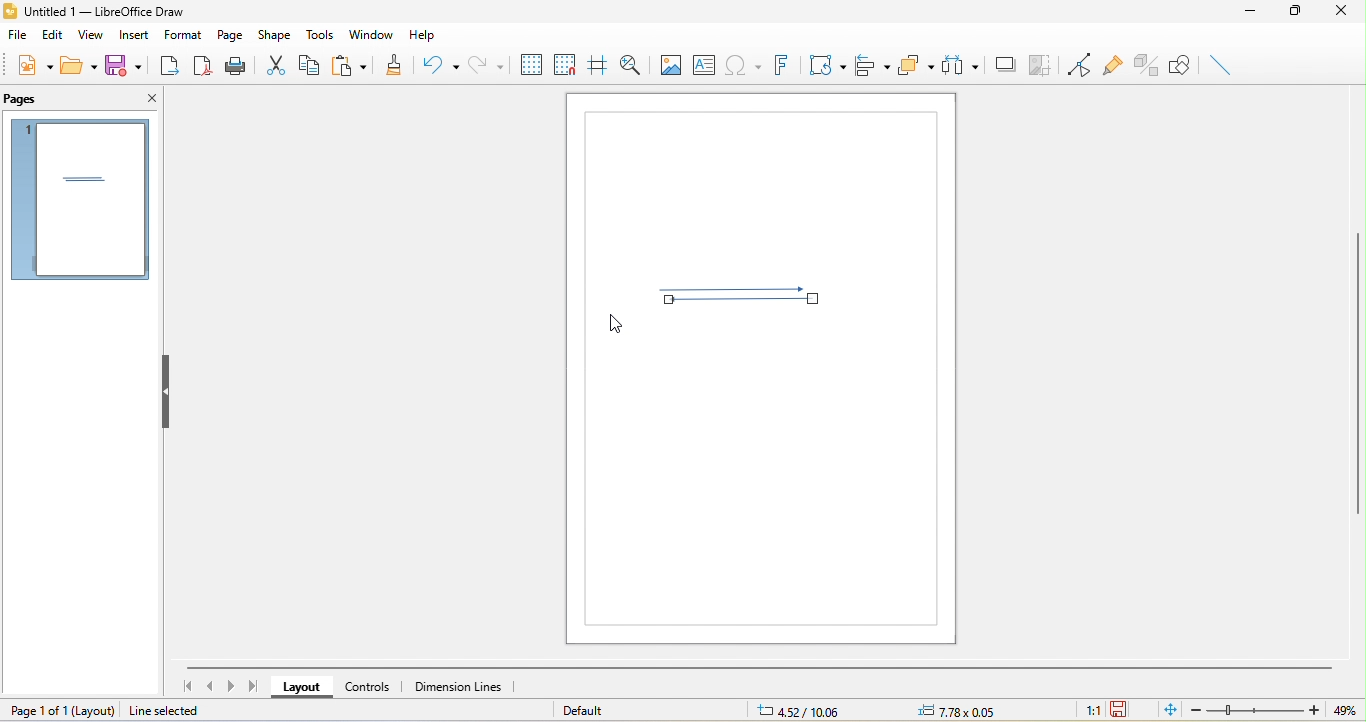 The width and height of the screenshot is (1366, 722). What do you see at coordinates (590, 710) in the screenshot?
I see `default` at bounding box center [590, 710].